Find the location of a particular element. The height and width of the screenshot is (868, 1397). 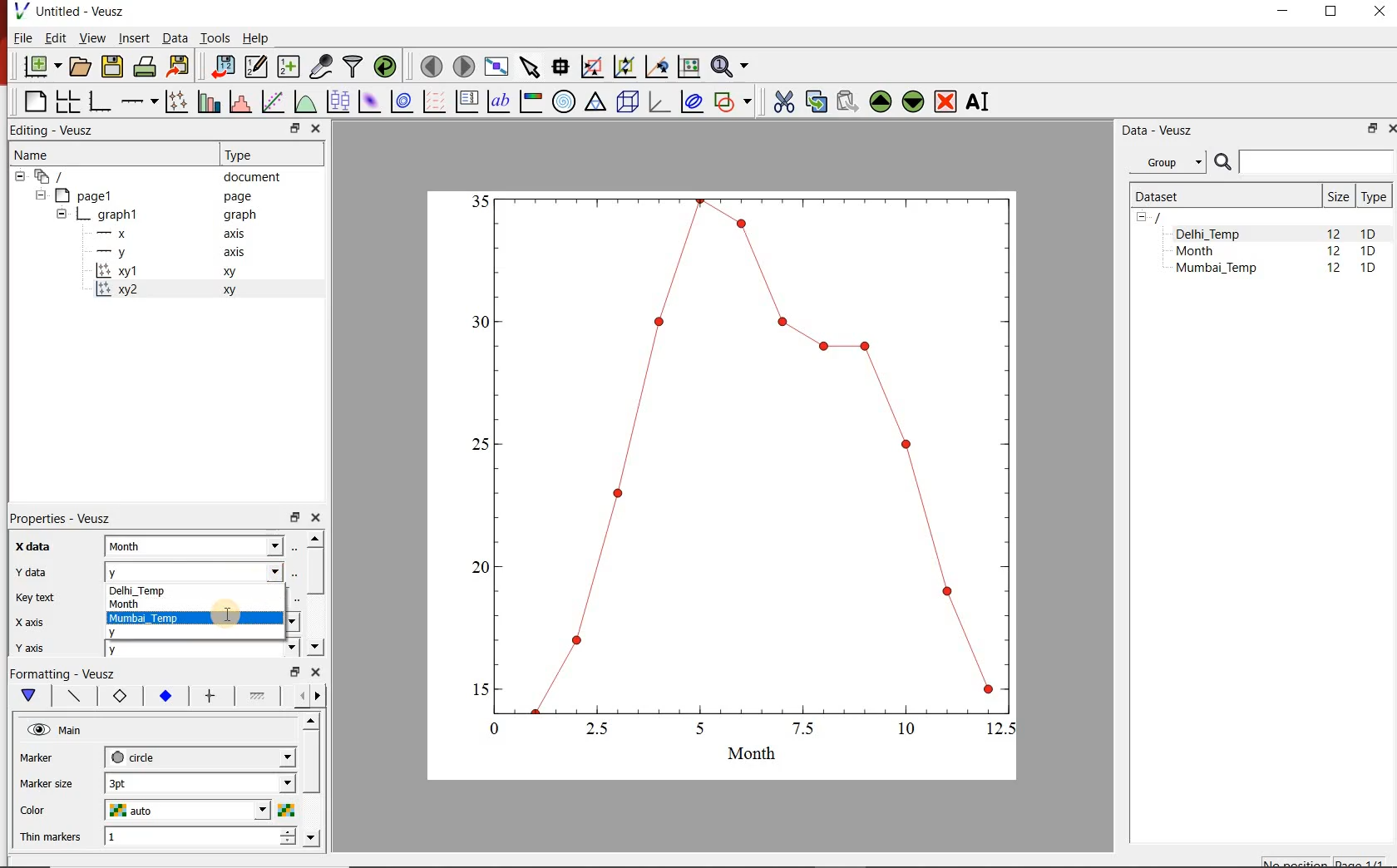

zoom functions menu is located at coordinates (732, 67).